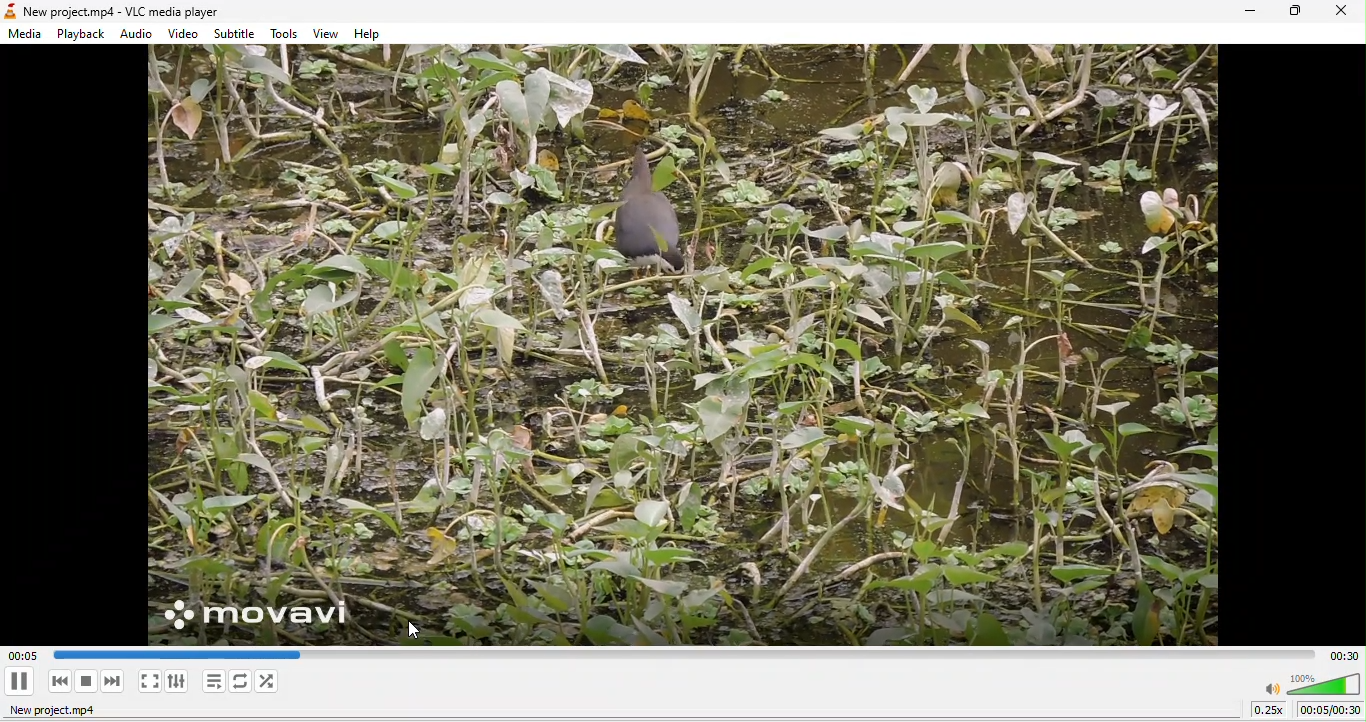 This screenshot has height=722, width=1366. Describe the element at coordinates (28, 36) in the screenshot. I see `media` at that location.